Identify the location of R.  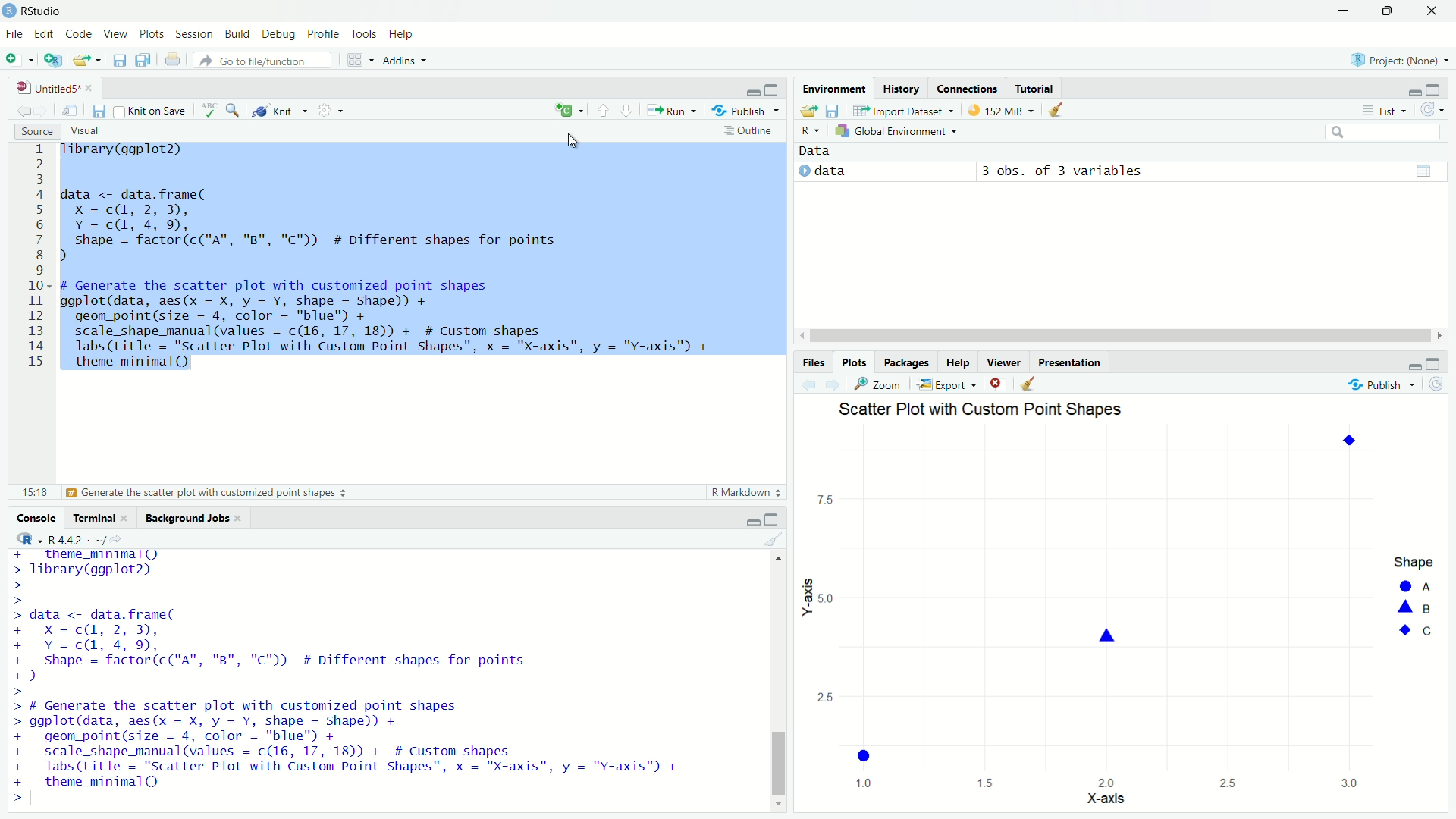
(28, 539).